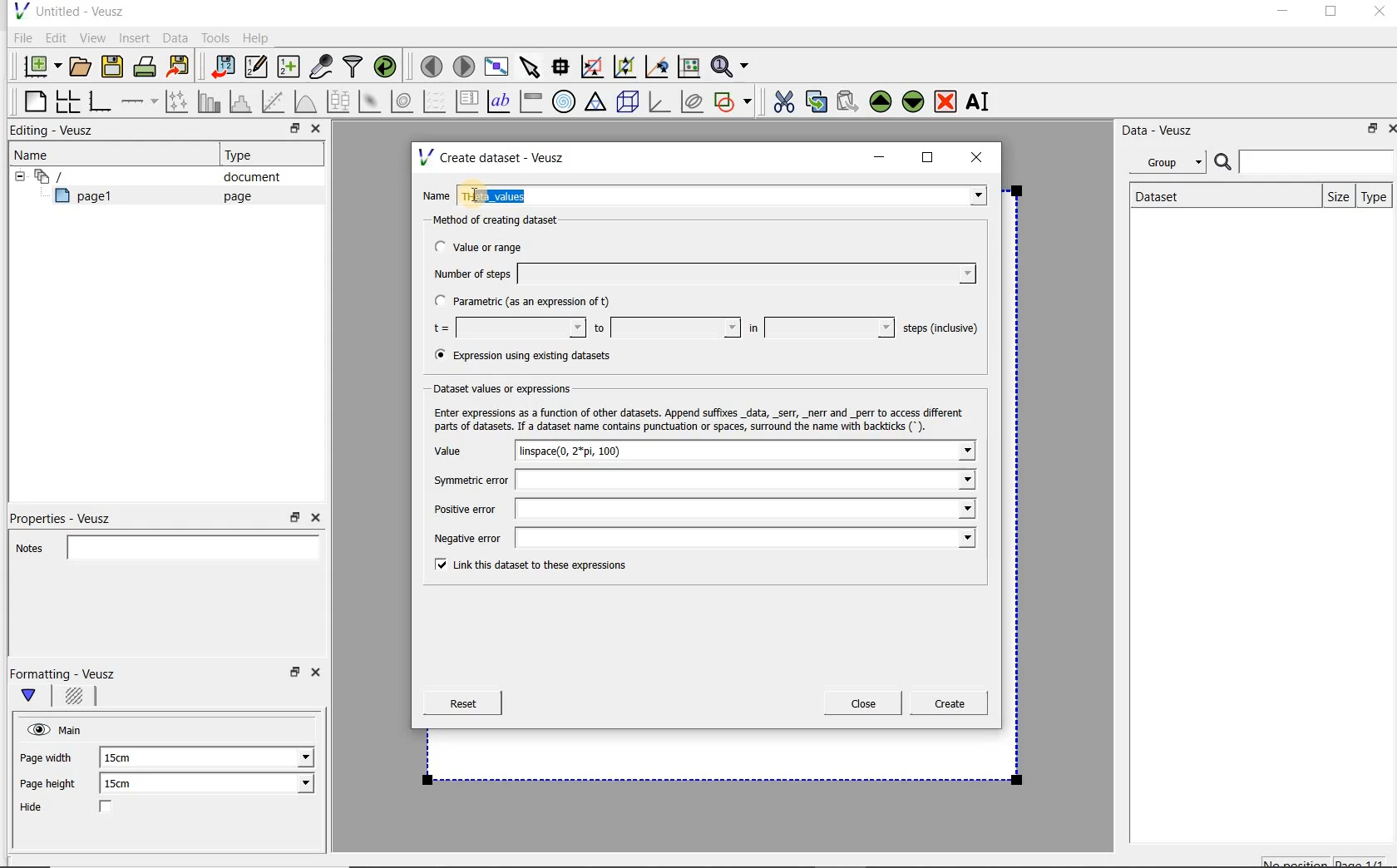  What do you see at coordinates (99, 102) in the screenshot?
I see `base graph` at bounding box center [99, 102].